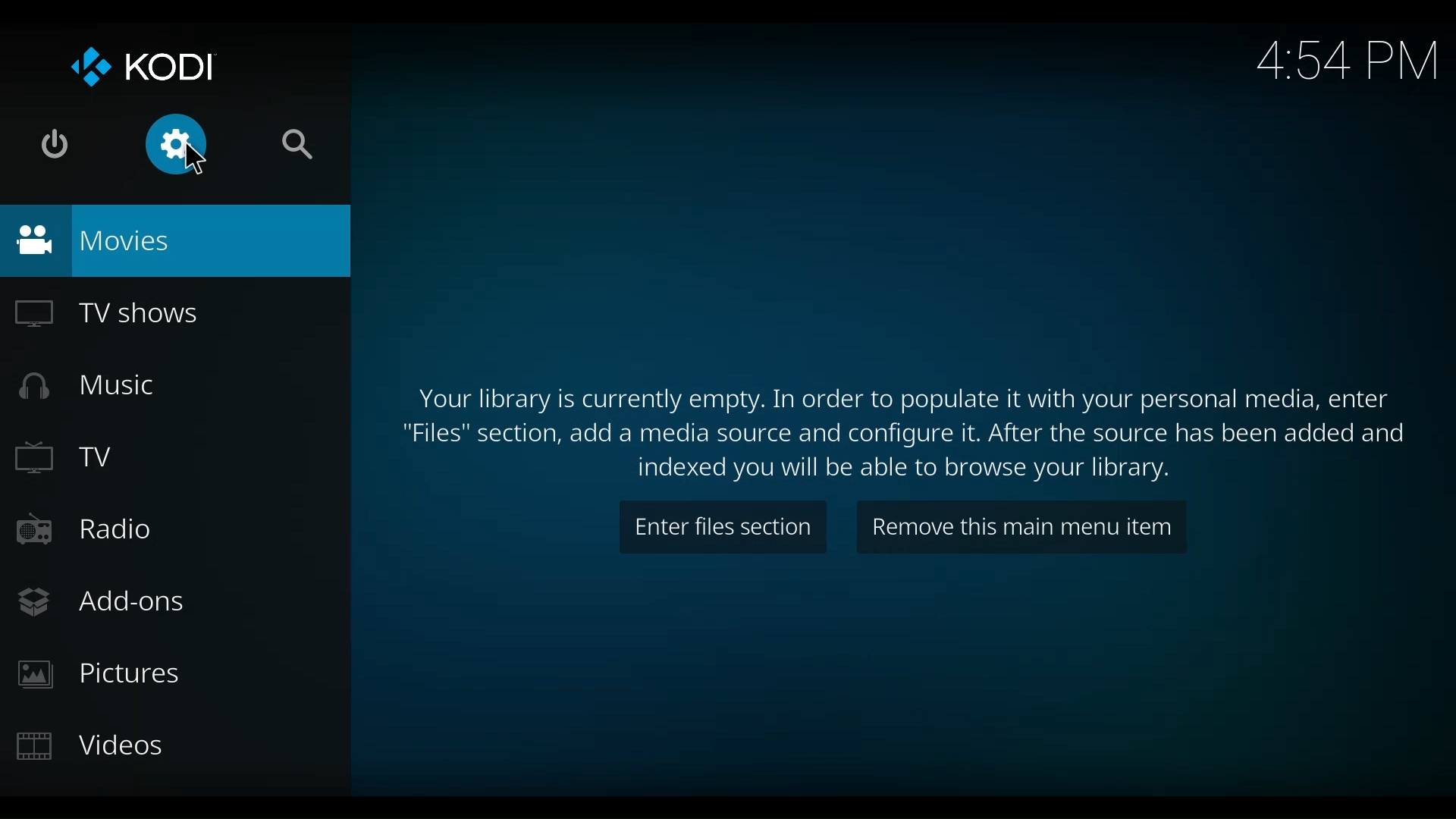  I want to click on Files section, add a media source and configure it. After the source has been added and, so click(905, 435).